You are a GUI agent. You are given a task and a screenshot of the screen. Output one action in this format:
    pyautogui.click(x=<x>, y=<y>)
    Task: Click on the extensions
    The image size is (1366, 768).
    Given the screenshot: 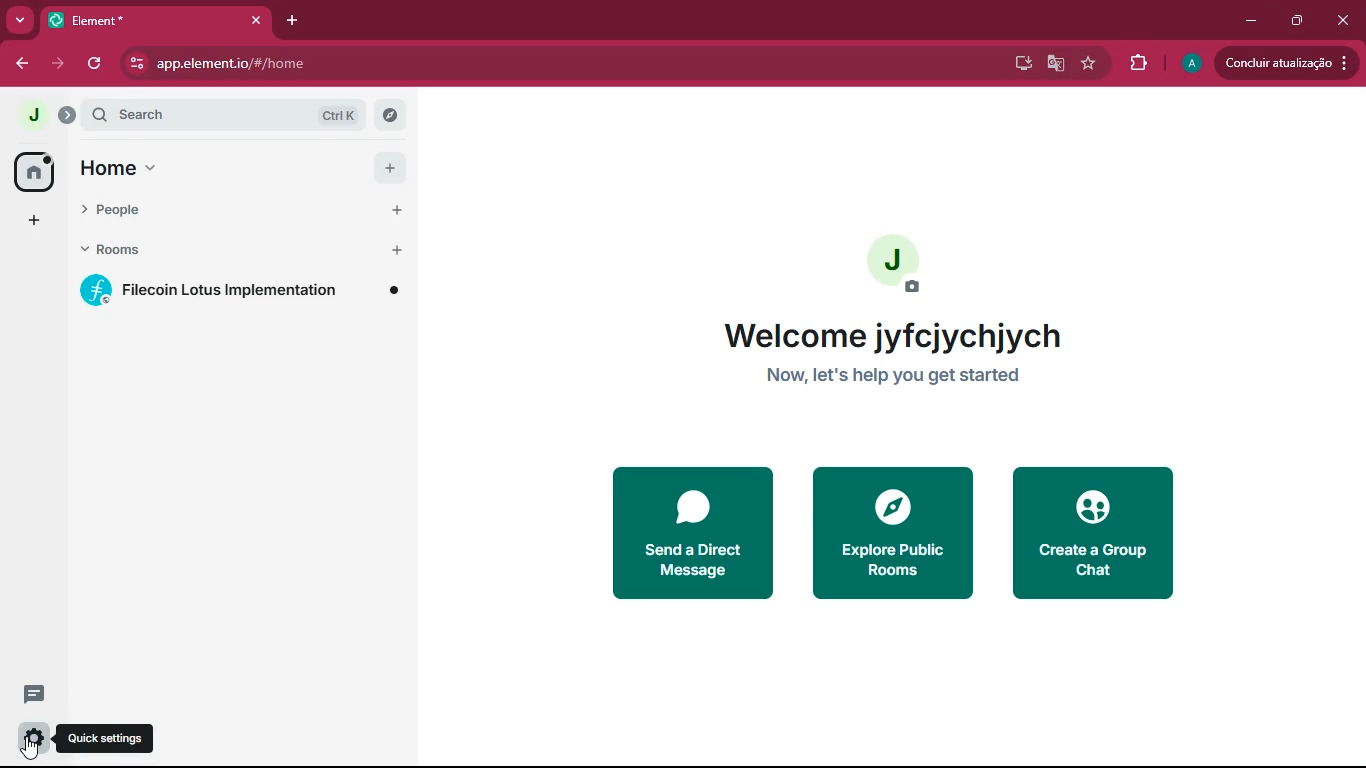 What is the action you would take?
    pyautogui.click(x=1135, y=63)
    